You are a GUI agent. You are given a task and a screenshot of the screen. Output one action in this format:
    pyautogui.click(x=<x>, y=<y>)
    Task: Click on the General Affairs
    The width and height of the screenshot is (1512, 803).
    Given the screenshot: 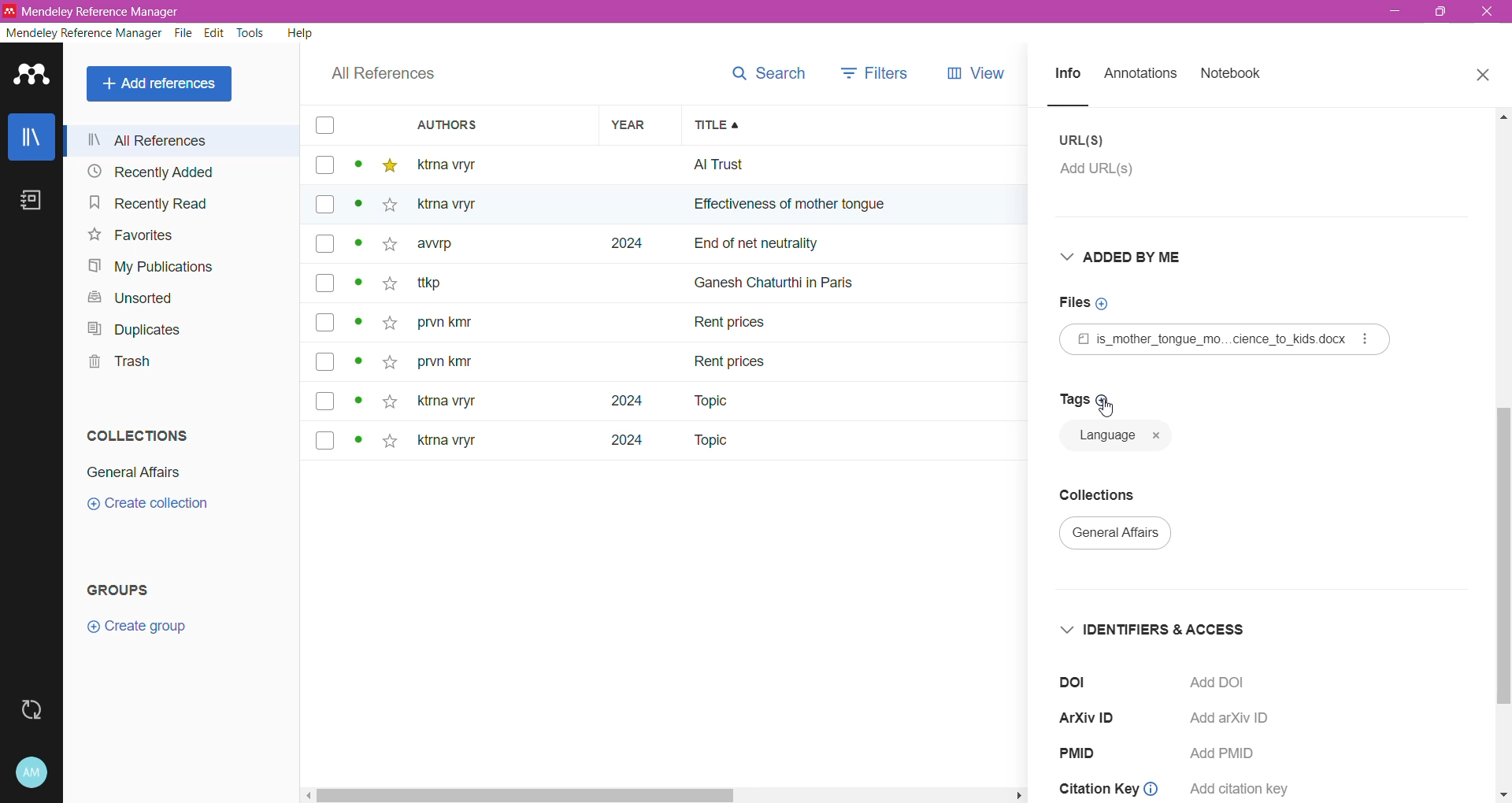 What is the action you would take?
    pyautogui.click(x=134, y=472)
    